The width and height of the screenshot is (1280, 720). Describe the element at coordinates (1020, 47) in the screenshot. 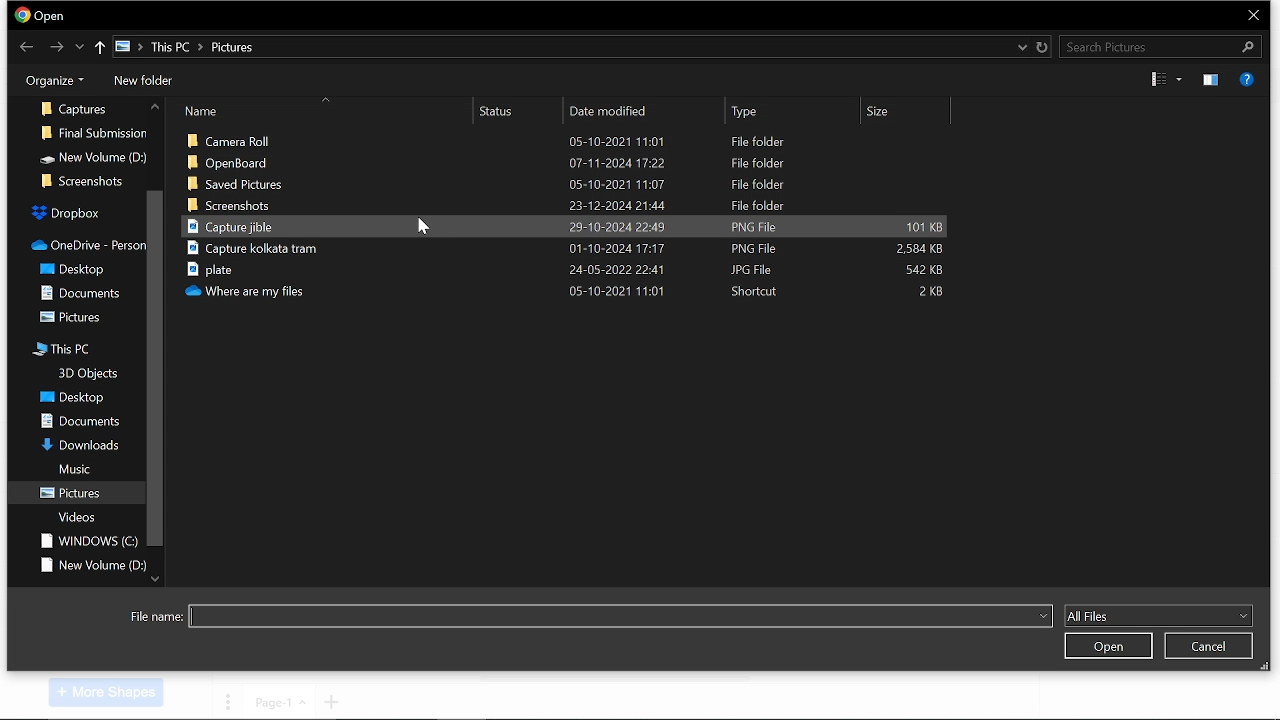

I see `recent location` at that location.